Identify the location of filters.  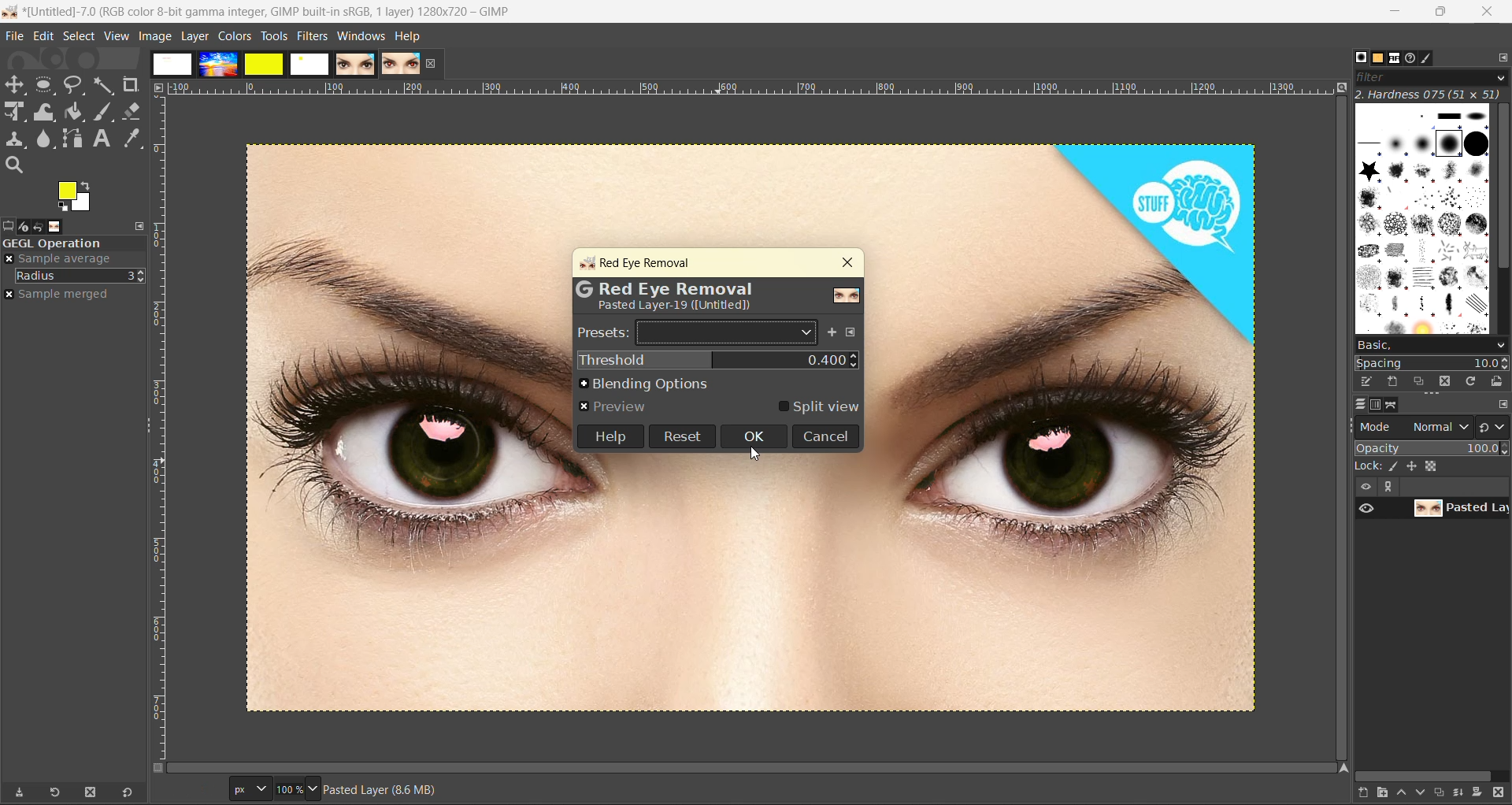
(313, 35).